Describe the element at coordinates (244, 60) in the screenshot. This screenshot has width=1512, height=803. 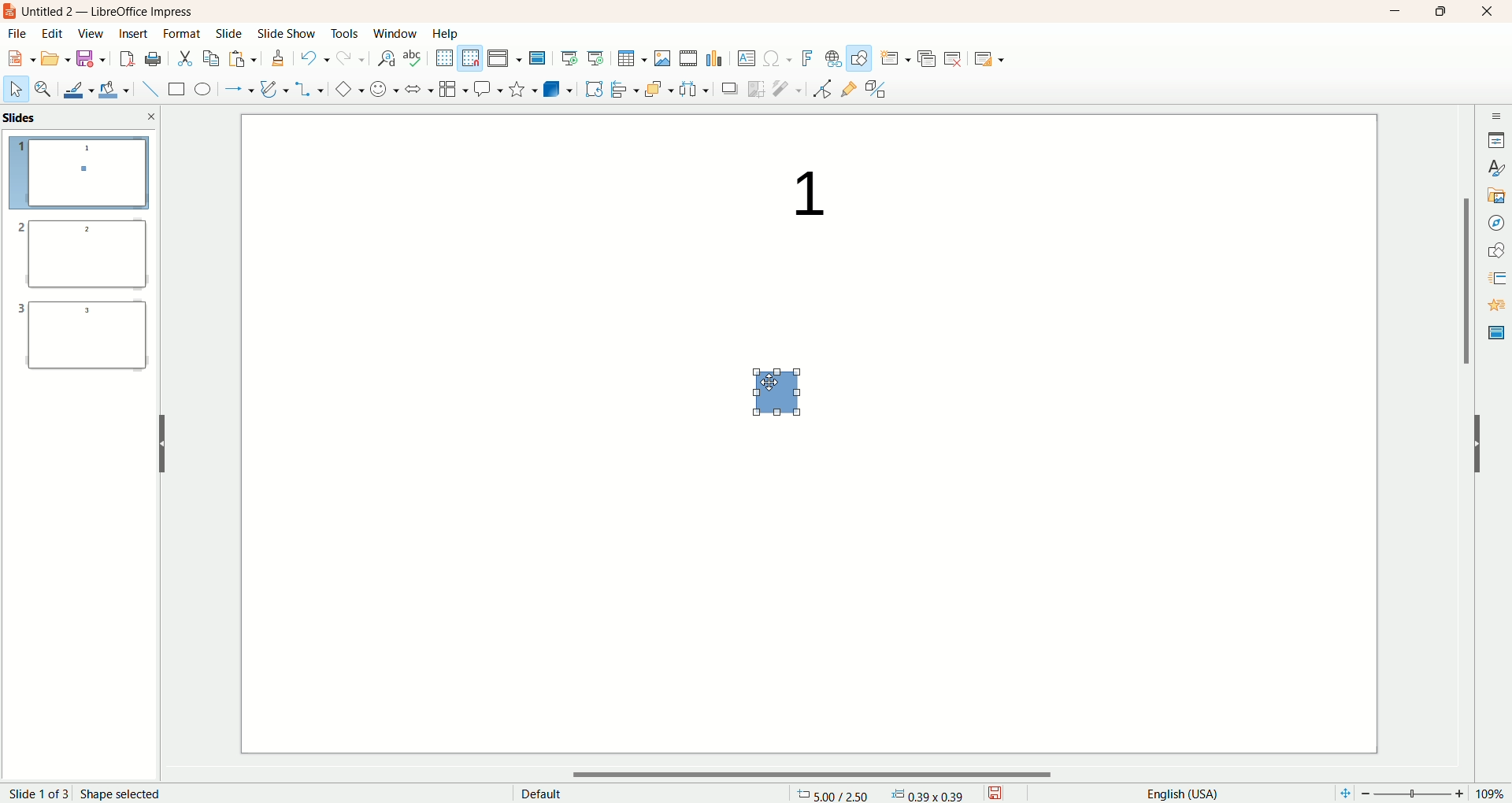
I see `paste` at that location.